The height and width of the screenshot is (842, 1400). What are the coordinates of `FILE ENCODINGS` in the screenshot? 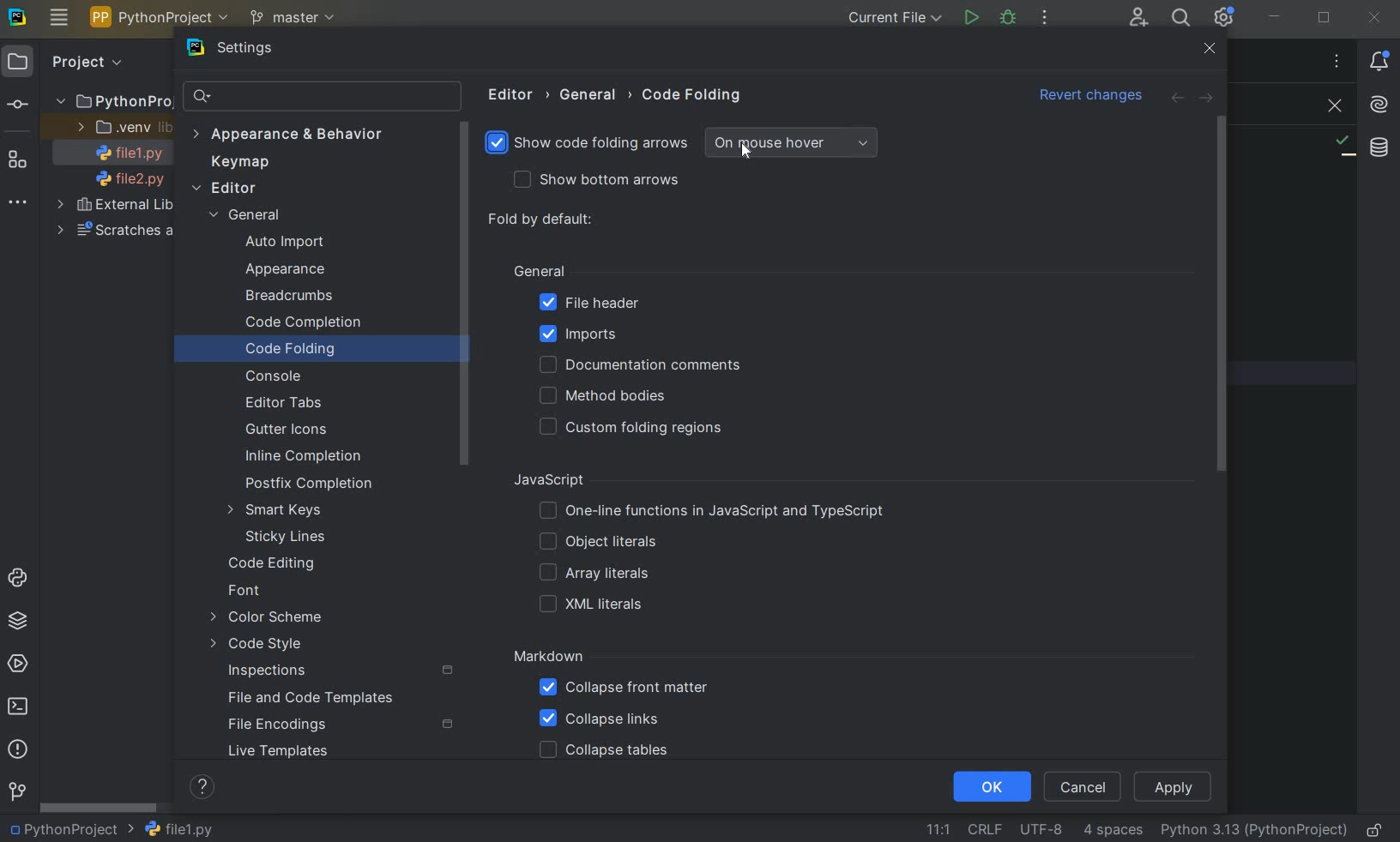 It's located at (340, 725).